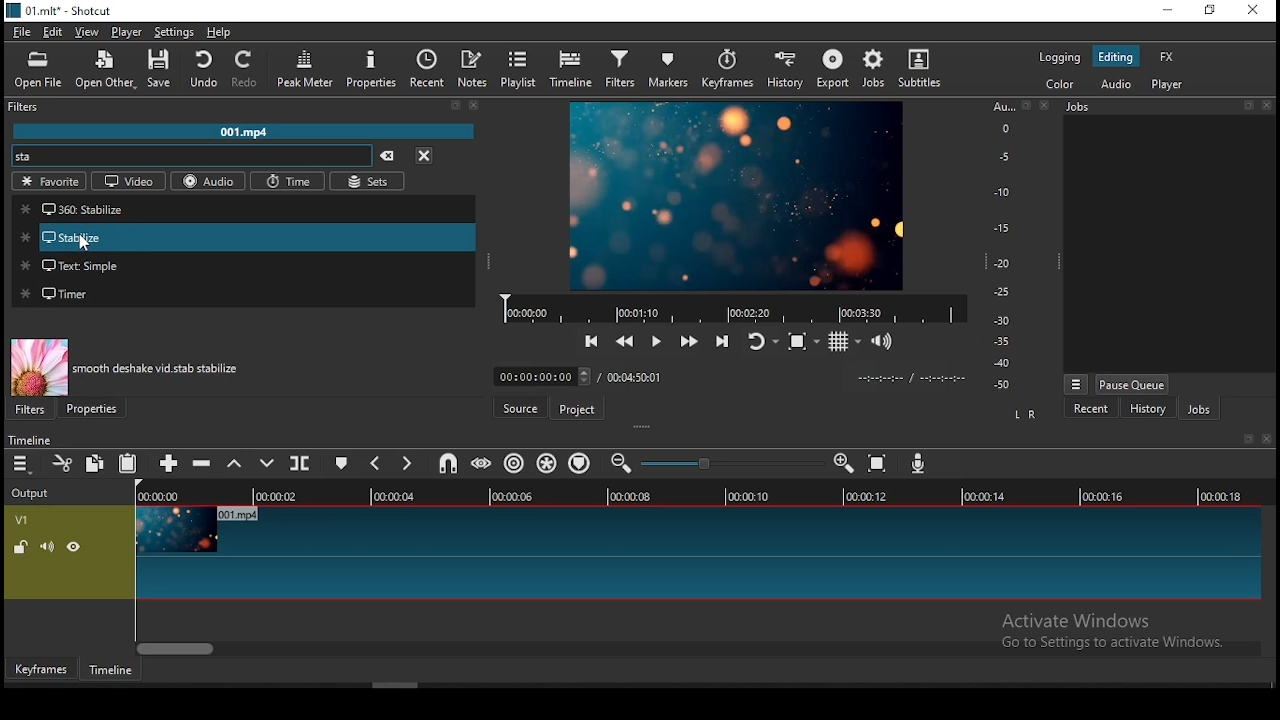 The width and height of the screenshot is (1280, 720). I want to click on pause queue, so click(1133, 384).